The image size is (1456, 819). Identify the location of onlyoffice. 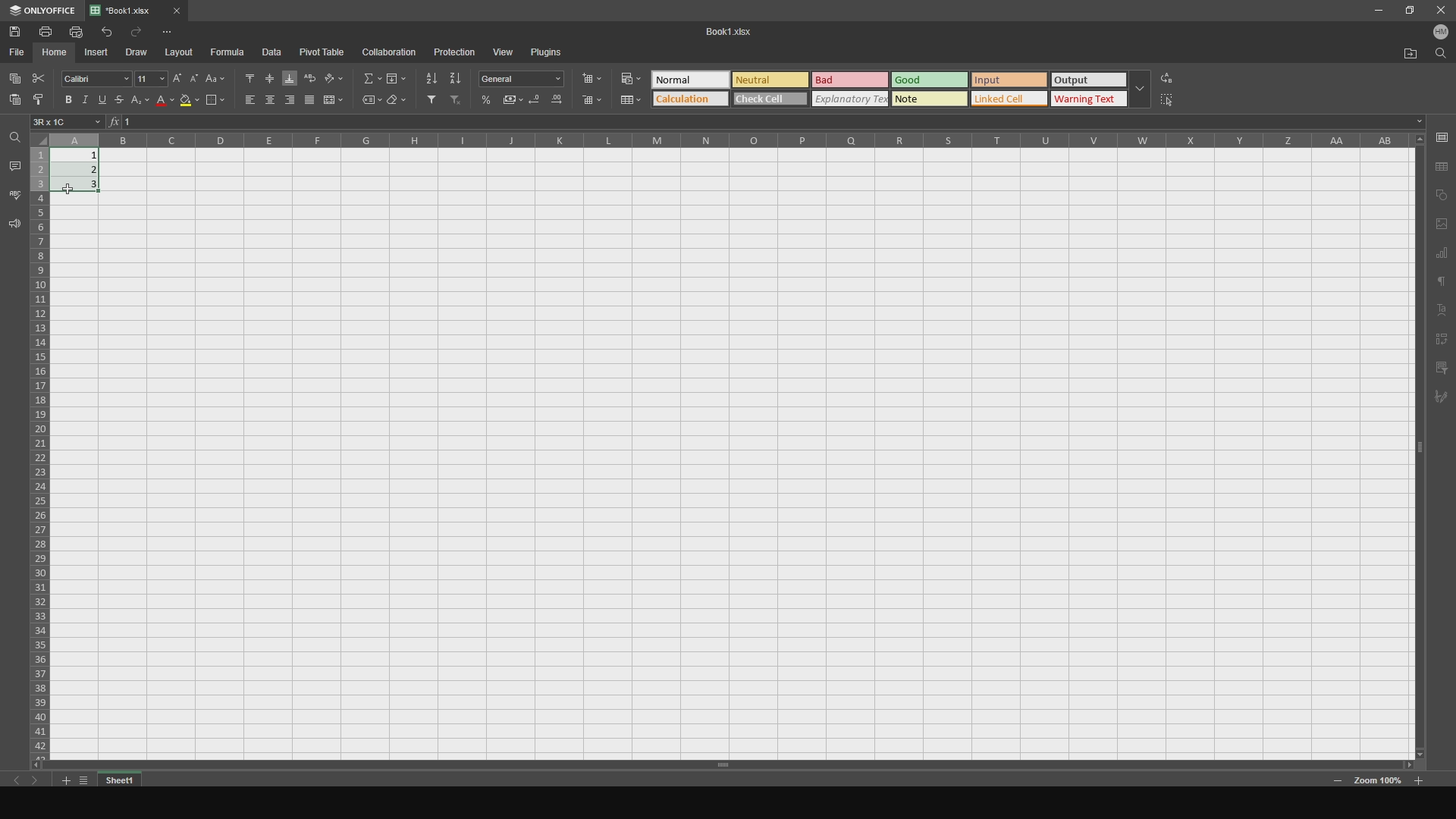
(42, 9).